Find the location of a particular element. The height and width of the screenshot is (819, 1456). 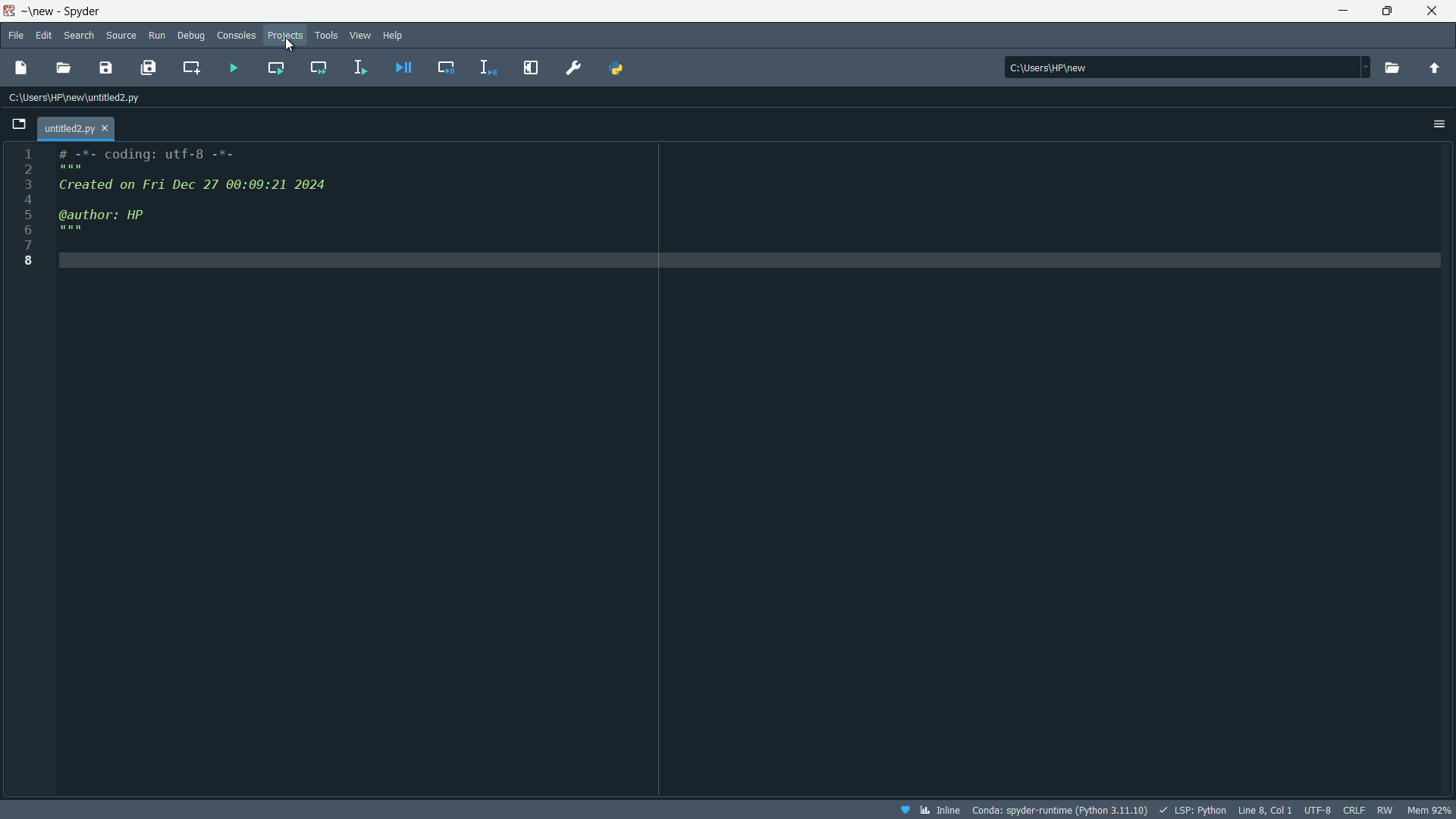

Open file (Ctrl + O) is located at coordinates (65, 67).